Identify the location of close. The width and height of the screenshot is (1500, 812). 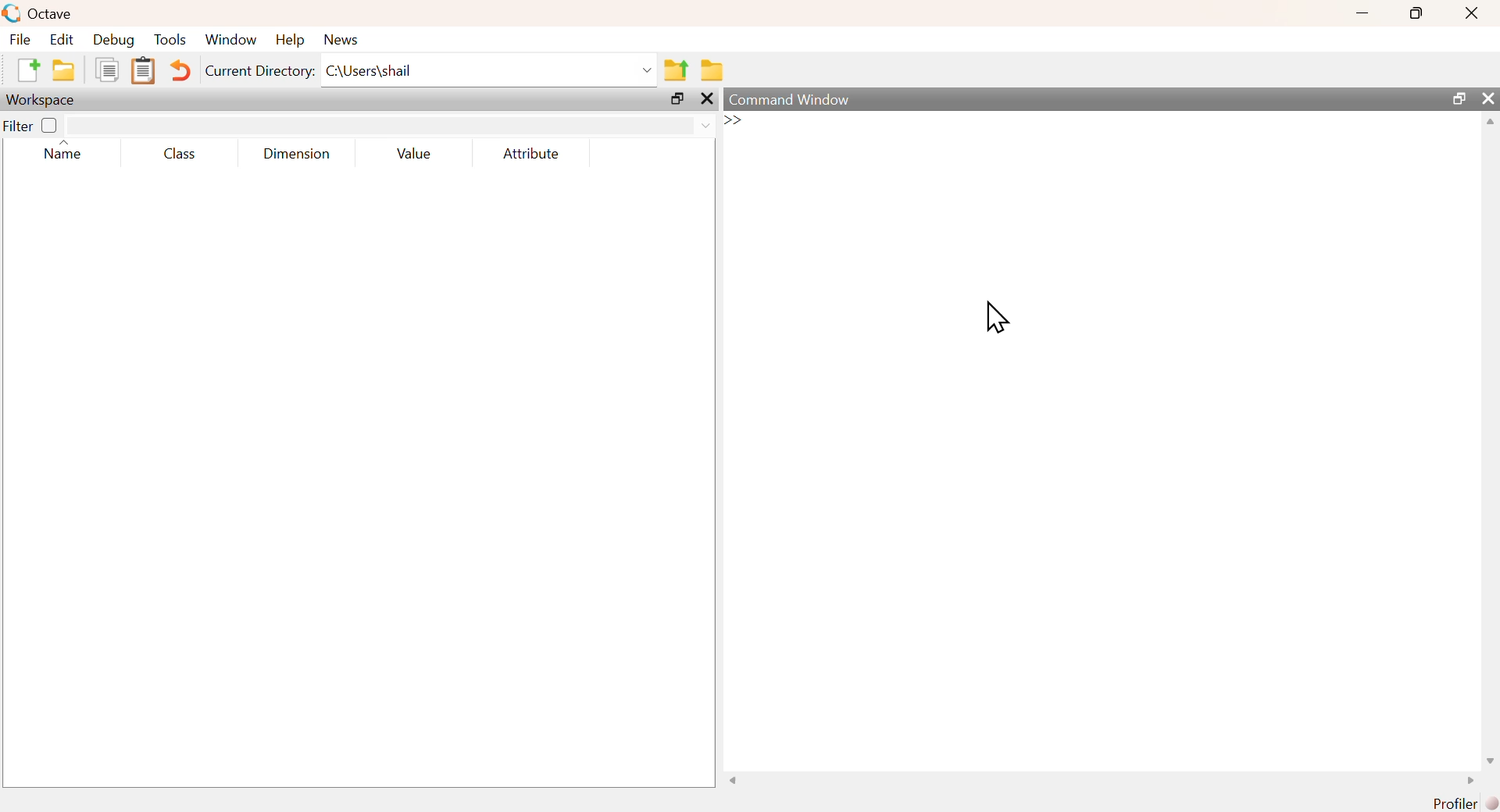
(1472, 13).